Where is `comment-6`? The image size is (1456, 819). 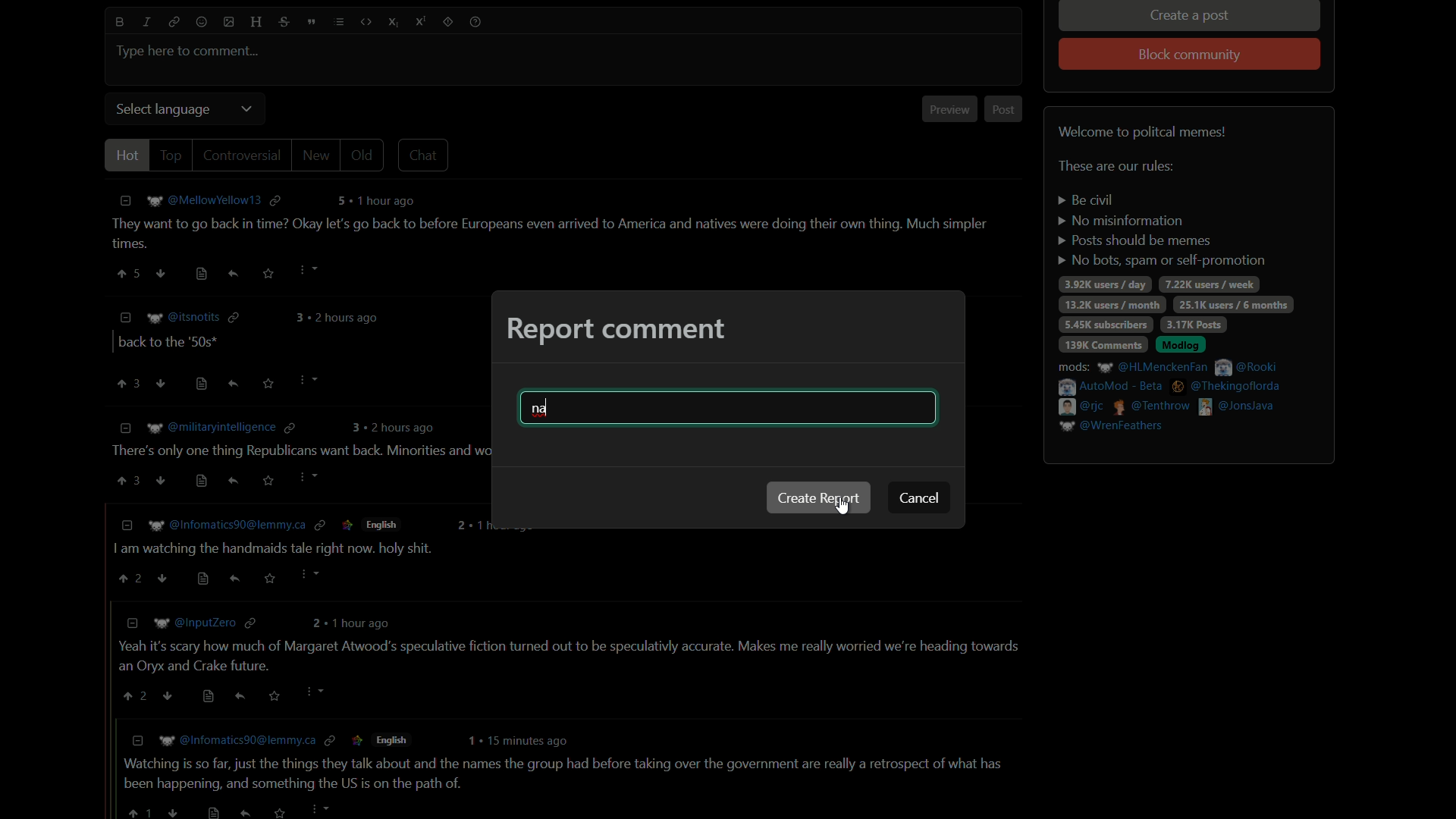
comment-6 is located at coordinates (559, 777).